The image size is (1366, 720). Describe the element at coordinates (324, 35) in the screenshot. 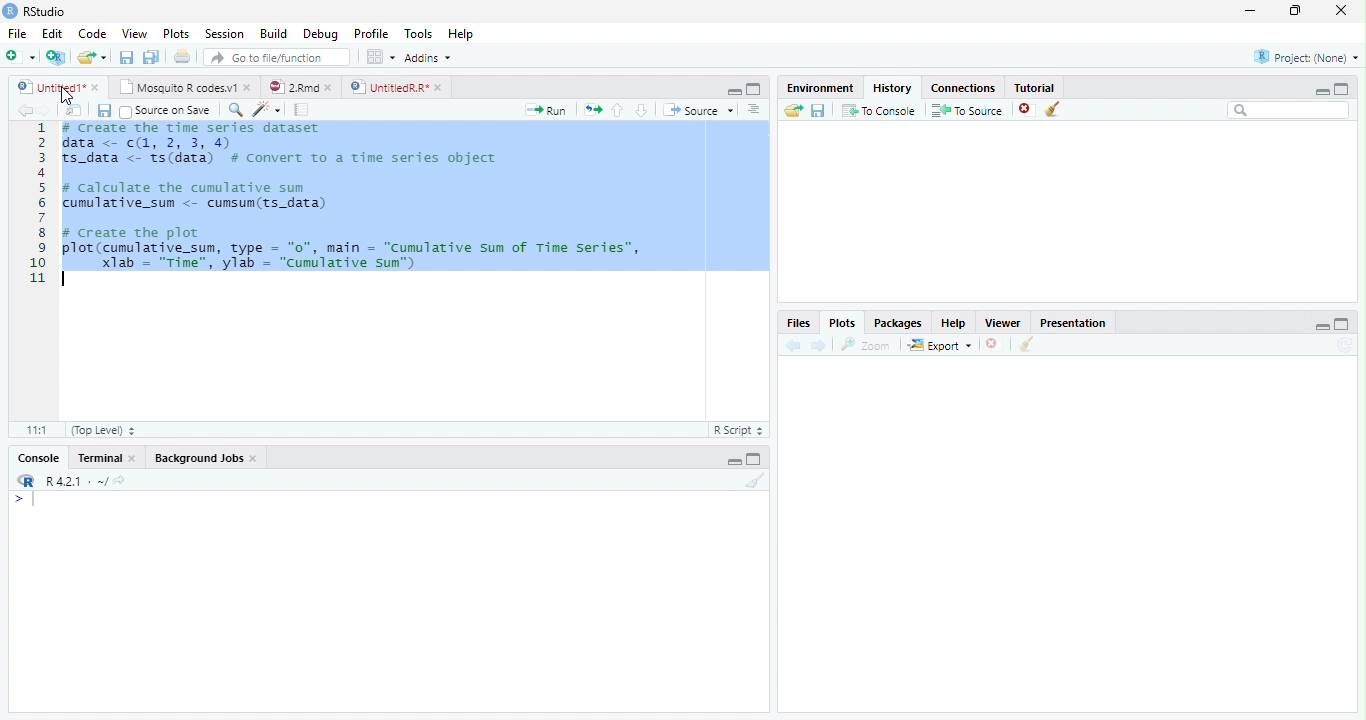

I see `Debug` at that location.